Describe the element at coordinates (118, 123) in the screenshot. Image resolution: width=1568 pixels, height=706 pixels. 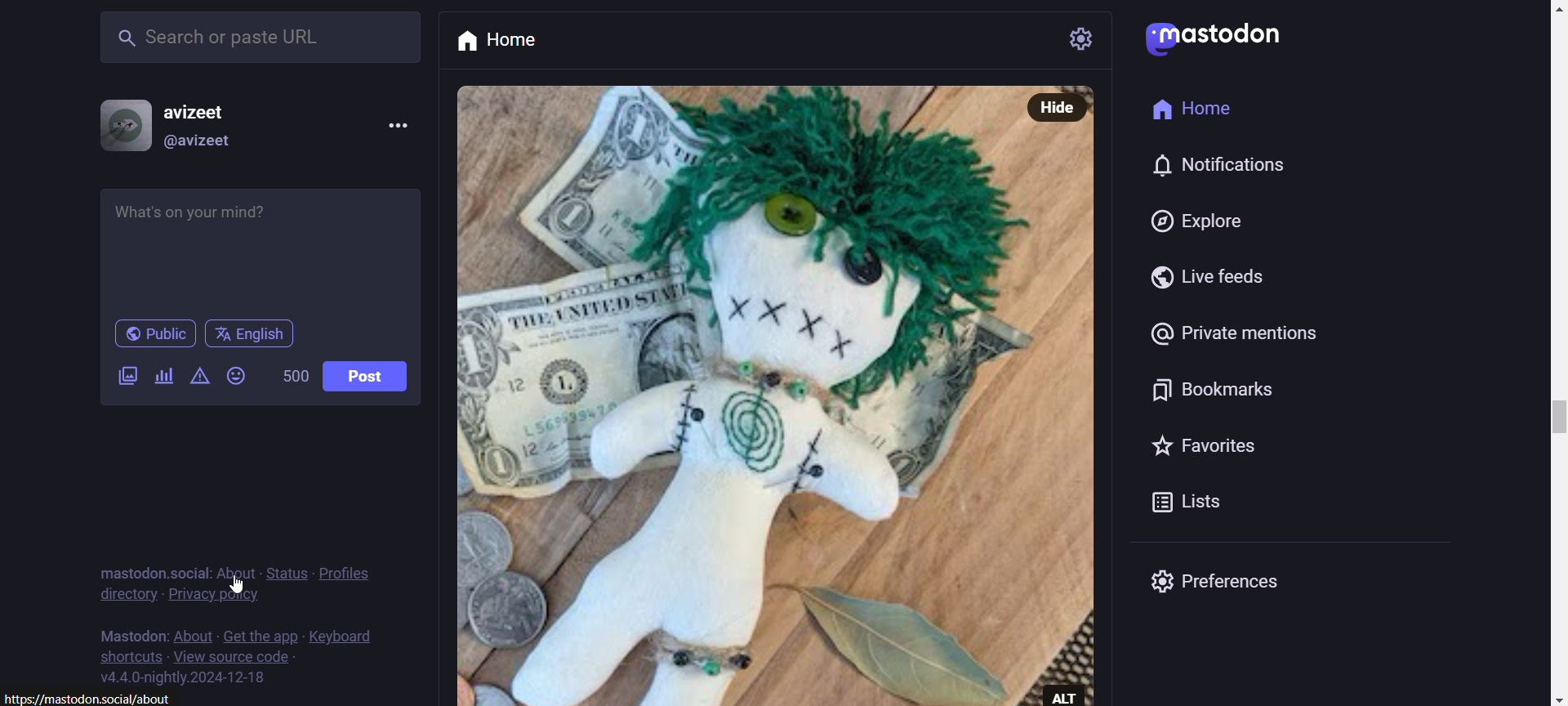
I see `display picture` at that location.